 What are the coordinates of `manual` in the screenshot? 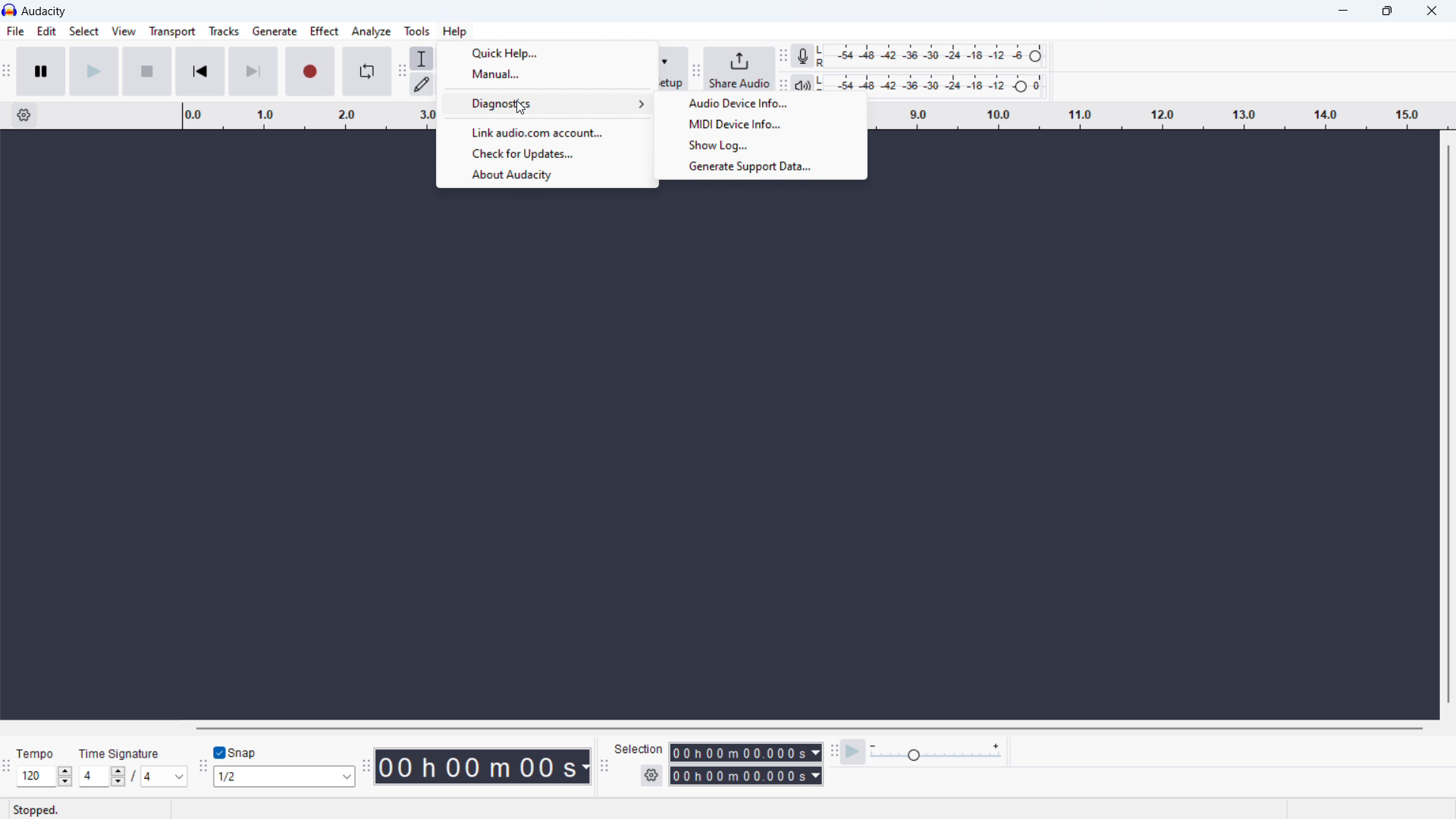 It's located at (547, 74).